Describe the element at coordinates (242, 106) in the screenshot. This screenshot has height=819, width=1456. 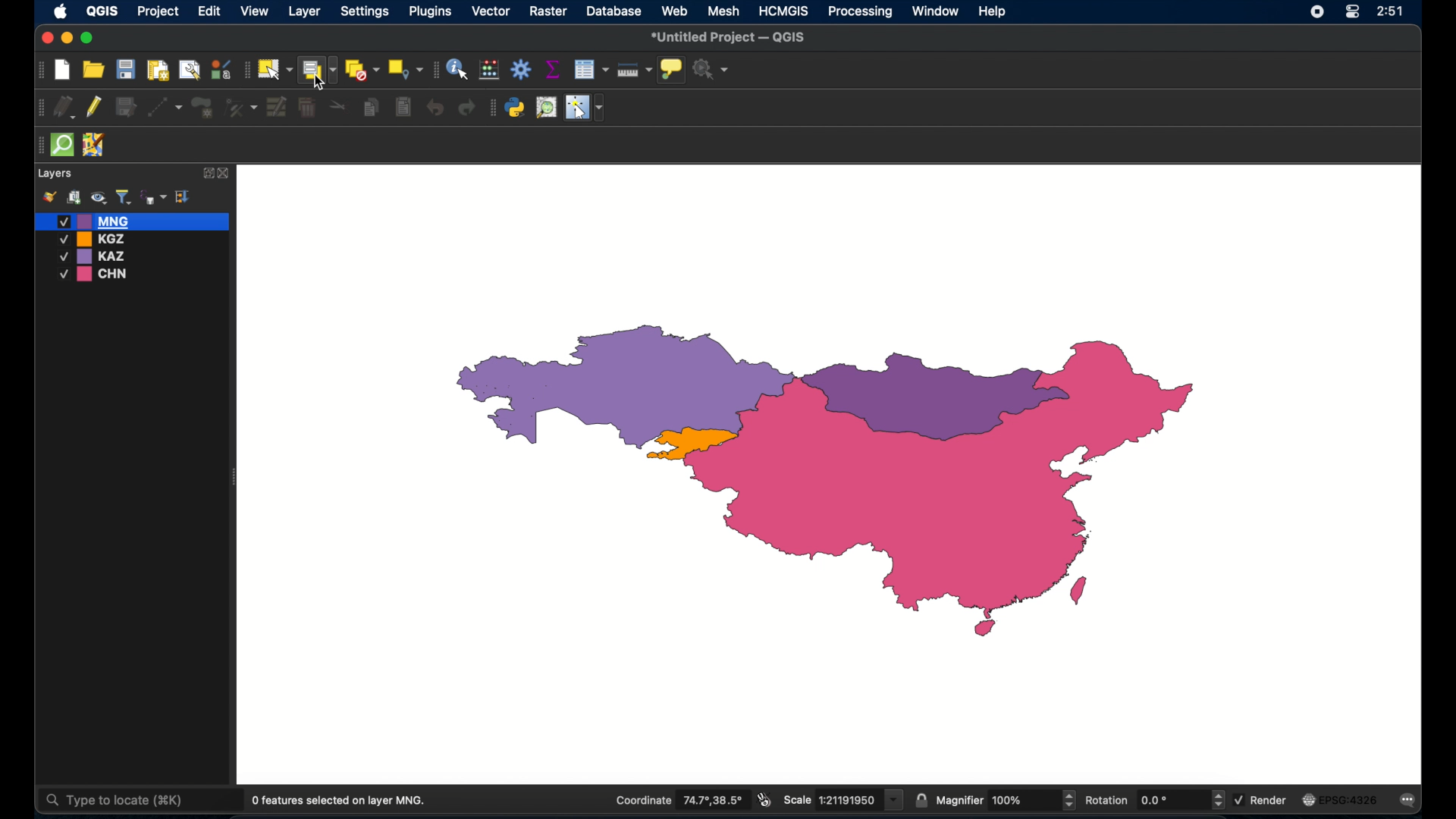
I see `vertex tool` at that location.